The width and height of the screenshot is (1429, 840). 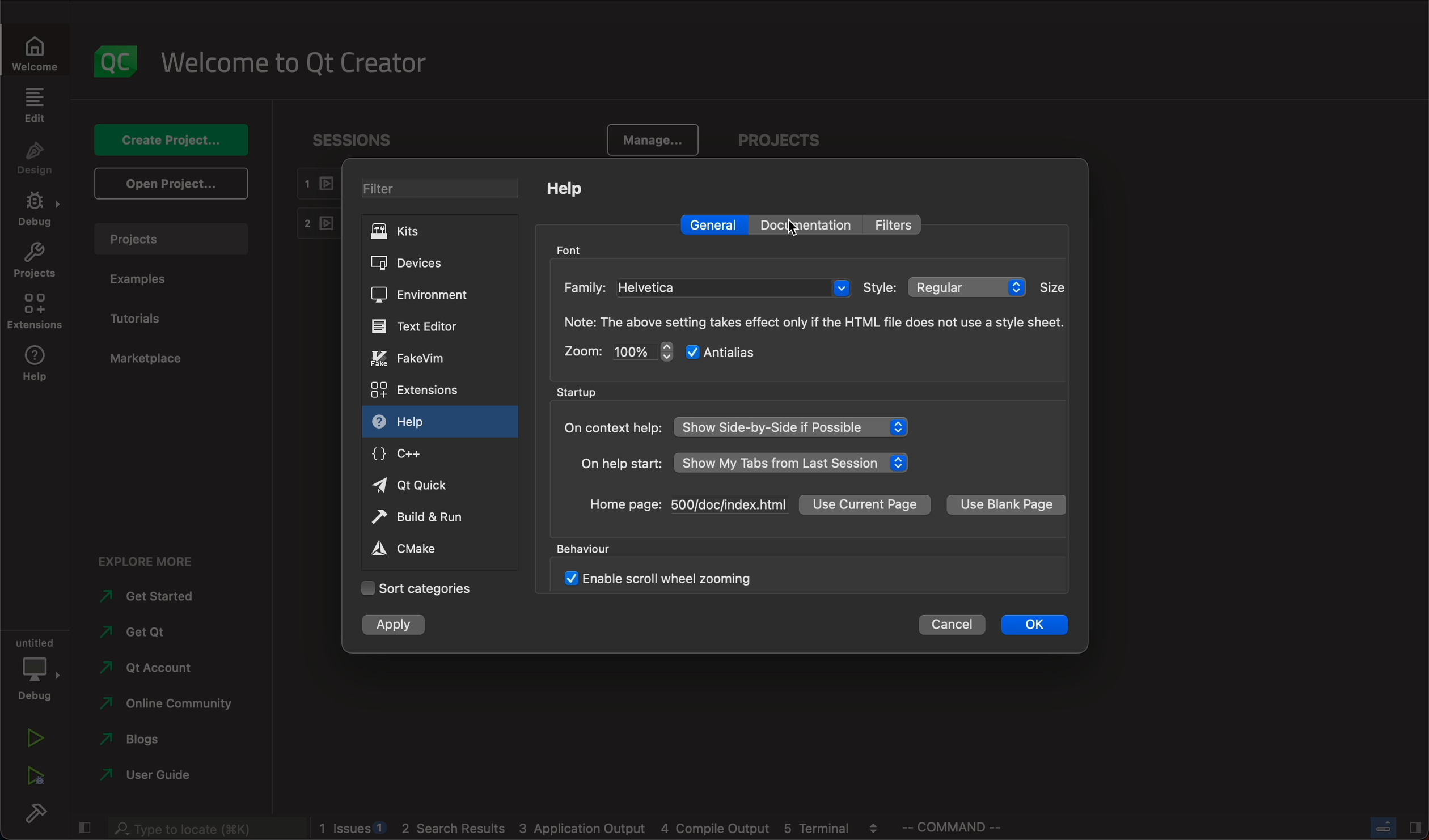 I want to click on build, so click(x=35, y=813).